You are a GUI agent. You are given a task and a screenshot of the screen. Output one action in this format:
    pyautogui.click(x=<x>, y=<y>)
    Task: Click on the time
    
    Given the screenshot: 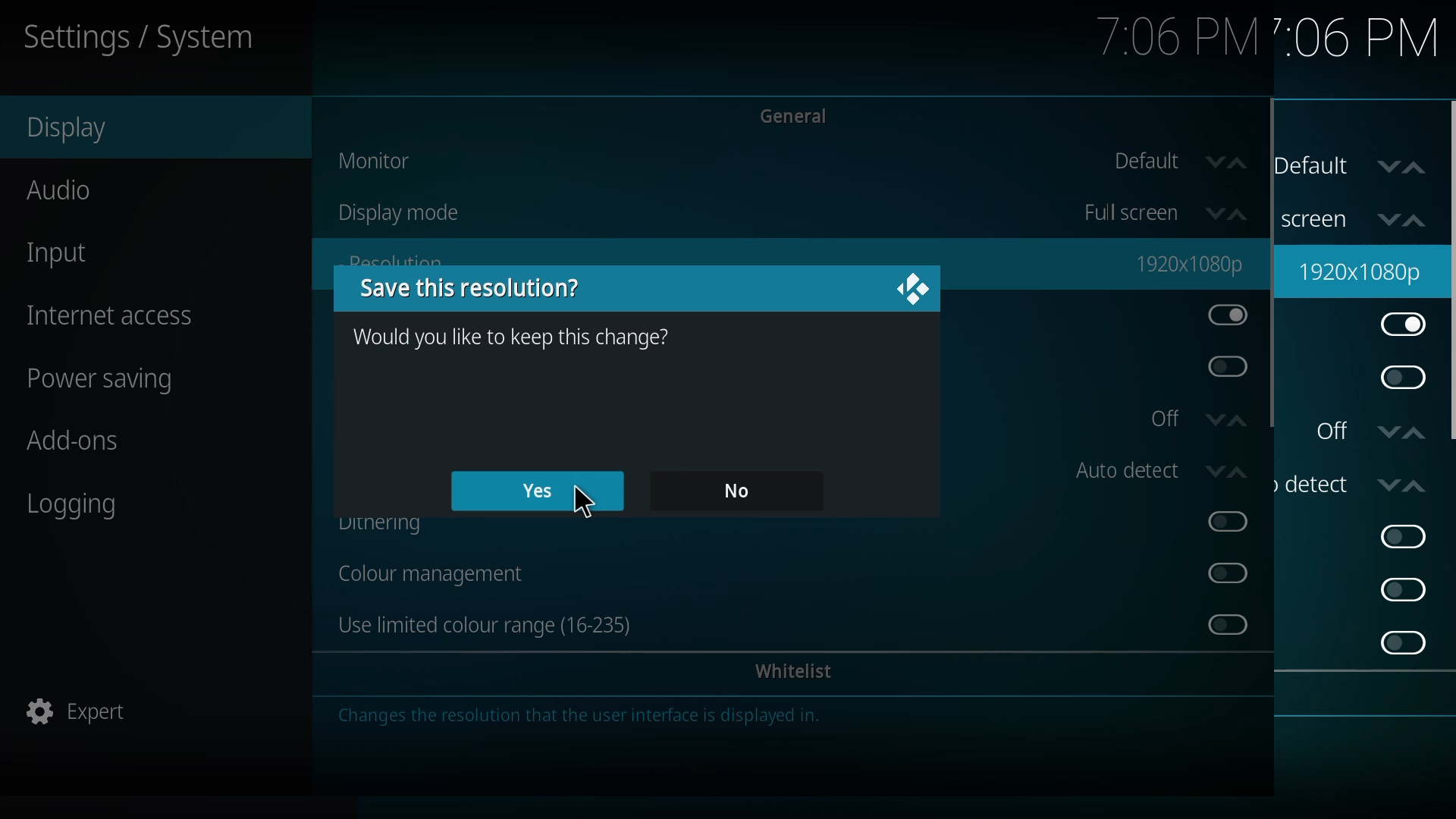 What is the action you would take?
    pyautogui.click(x=1157, y=39)
    